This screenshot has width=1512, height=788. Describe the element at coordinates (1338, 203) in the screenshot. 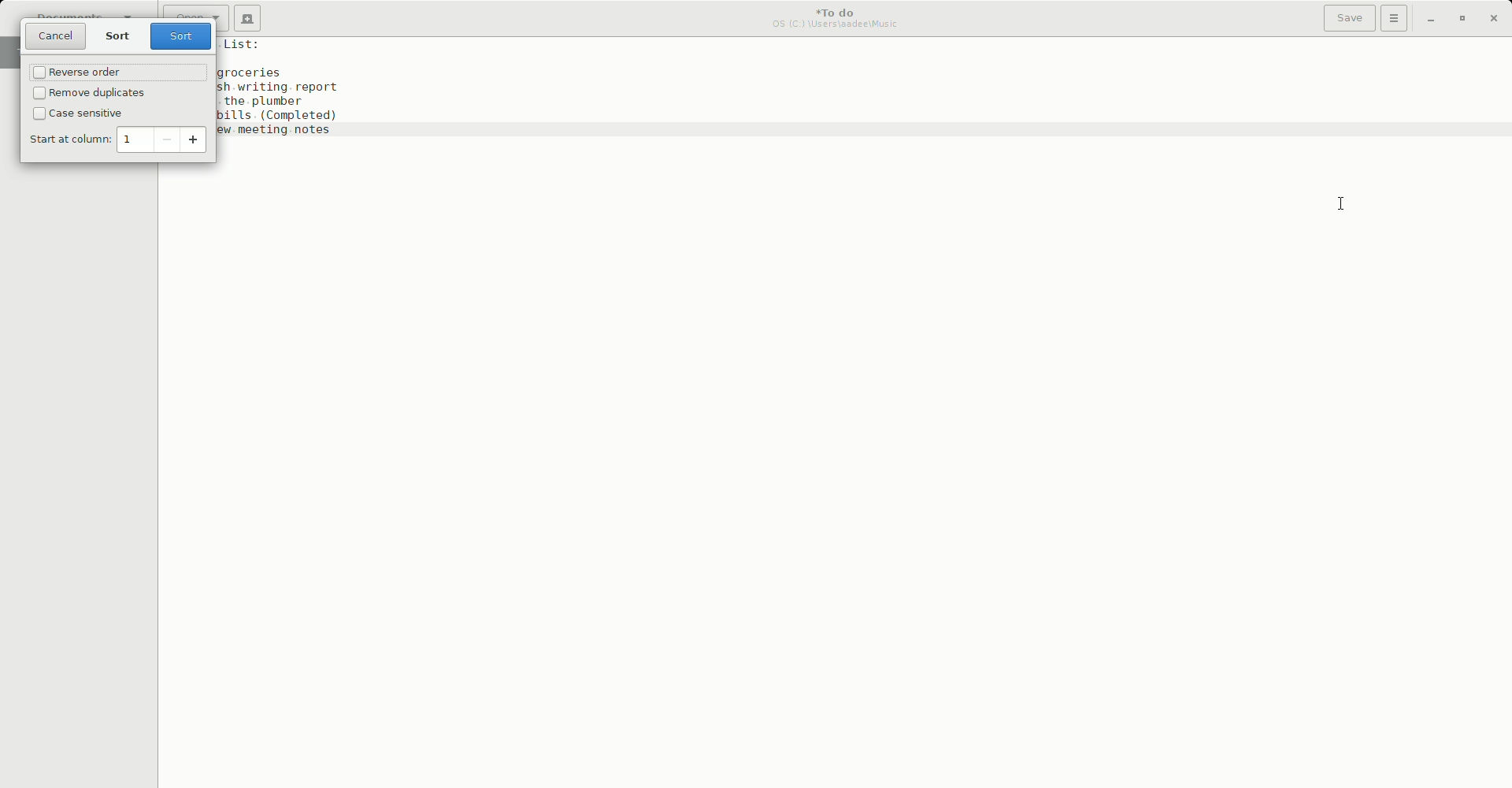

I see `Cursor` at that location.